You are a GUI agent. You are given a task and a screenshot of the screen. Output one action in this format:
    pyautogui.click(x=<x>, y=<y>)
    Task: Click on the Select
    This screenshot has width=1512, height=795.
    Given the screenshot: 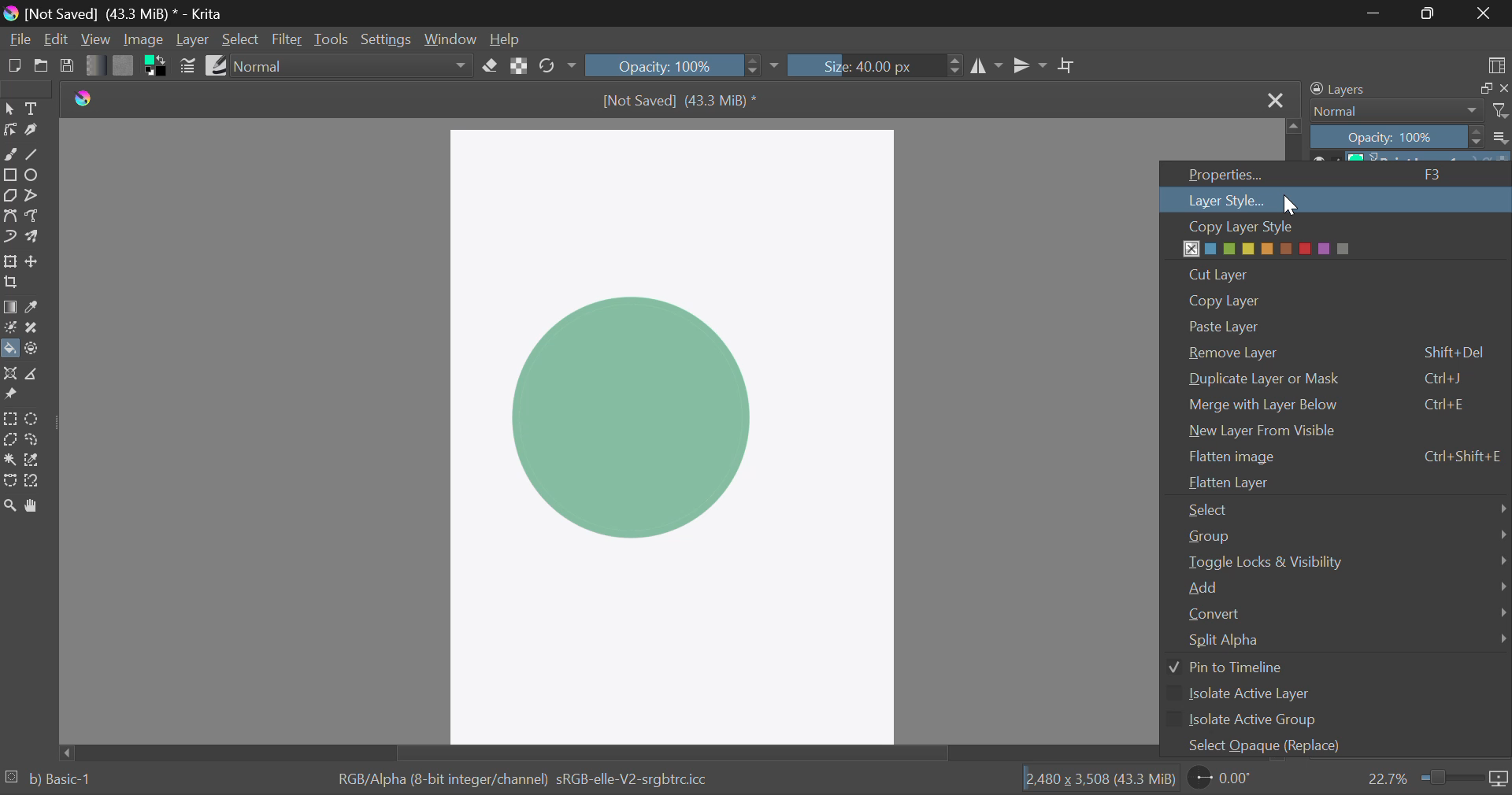 What is the action you would take?
    pyautogui.click(x=10, y=109)
    